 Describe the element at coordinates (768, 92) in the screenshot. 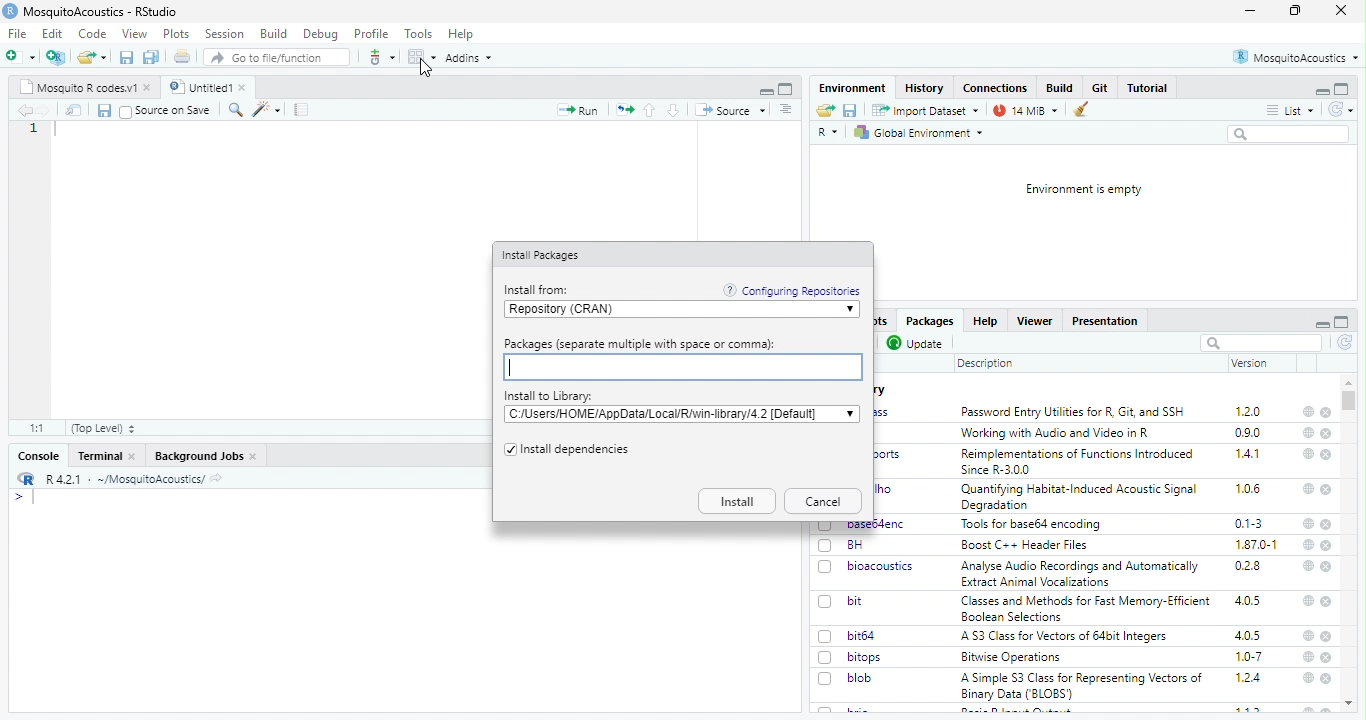

I see `minimise` at that location.